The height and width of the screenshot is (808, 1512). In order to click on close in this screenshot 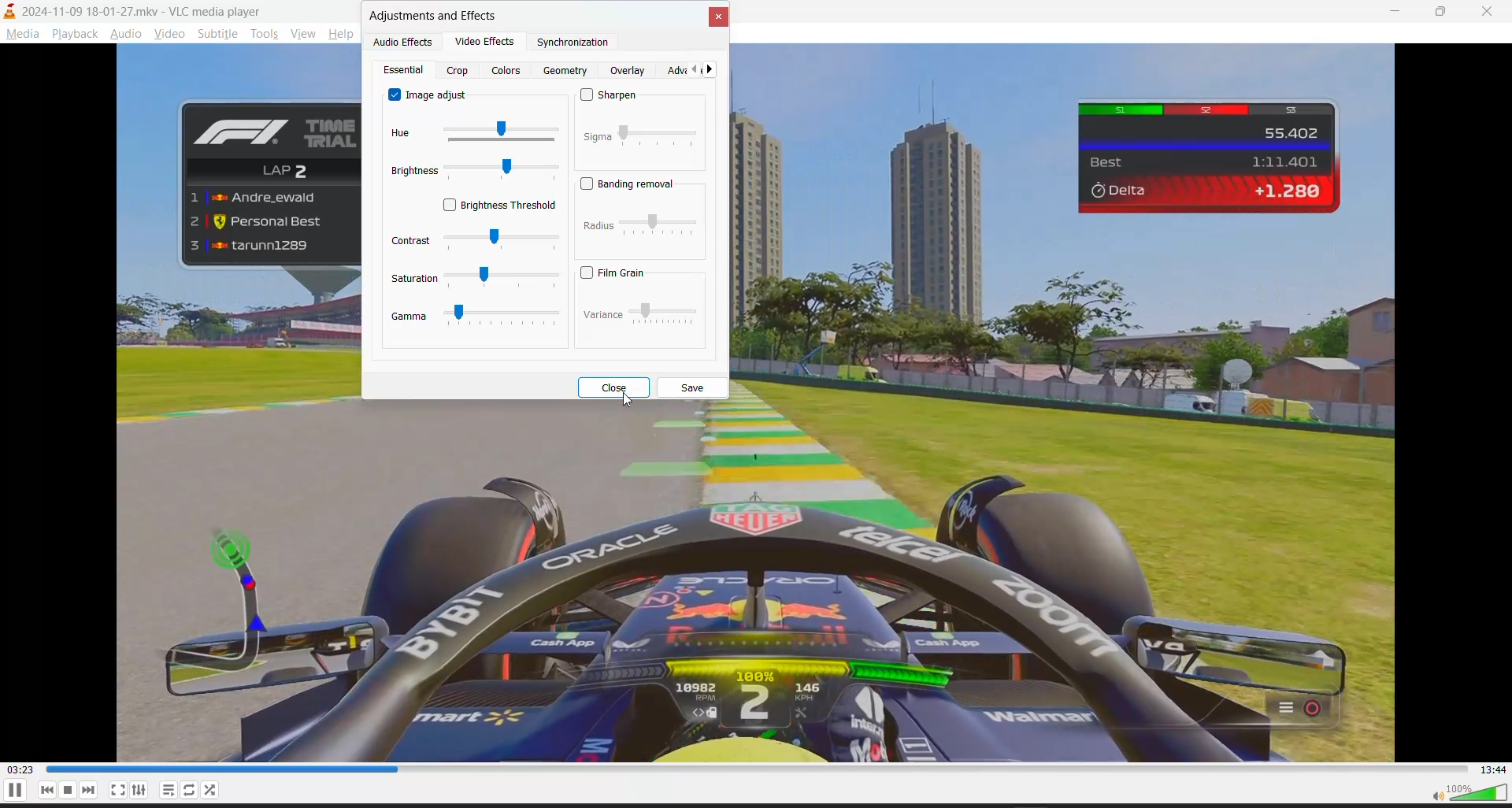, I will do `click(613, 387)`.